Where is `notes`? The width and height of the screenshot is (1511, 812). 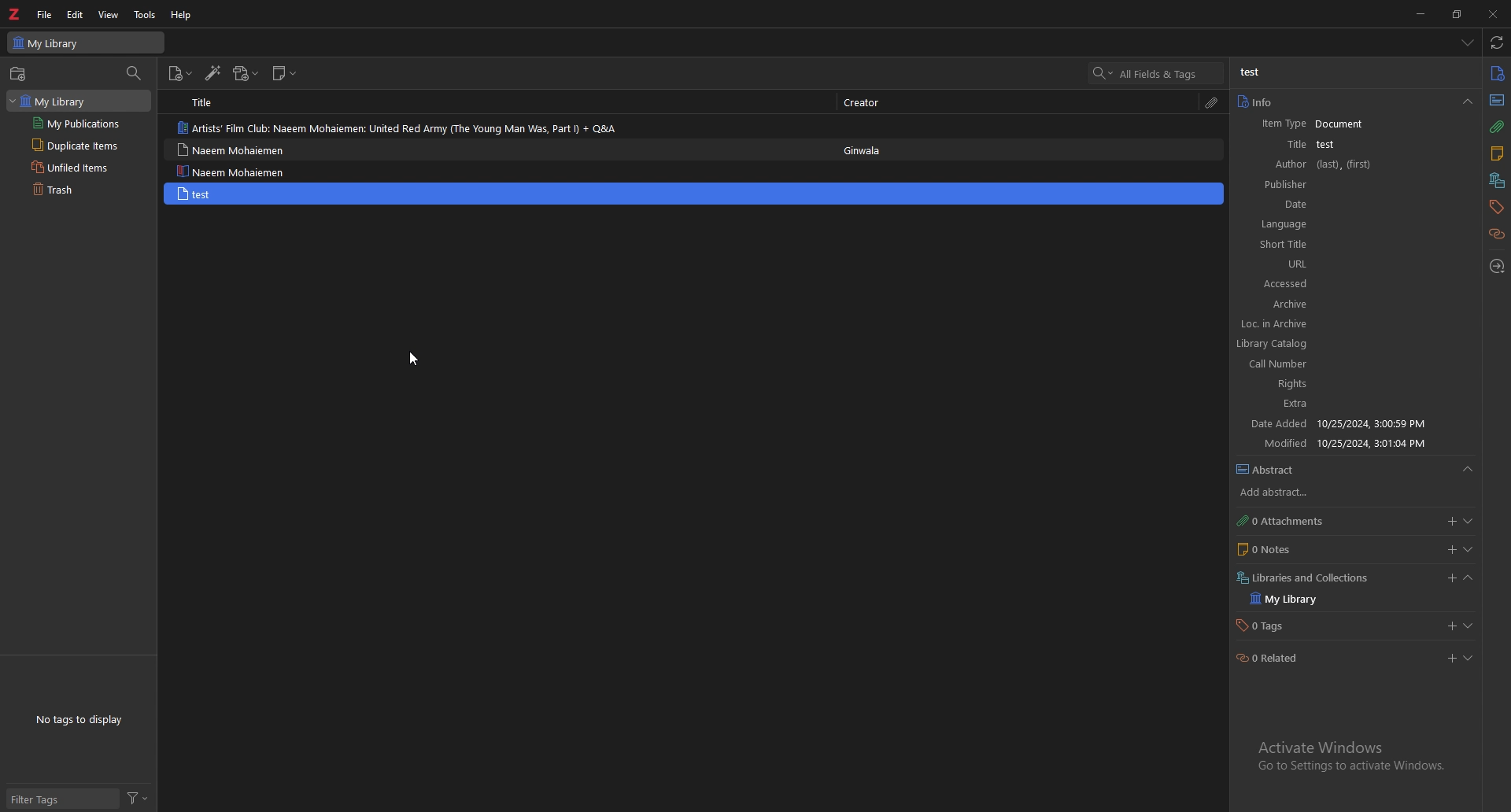 notes is located at coordinates (1497, 154).